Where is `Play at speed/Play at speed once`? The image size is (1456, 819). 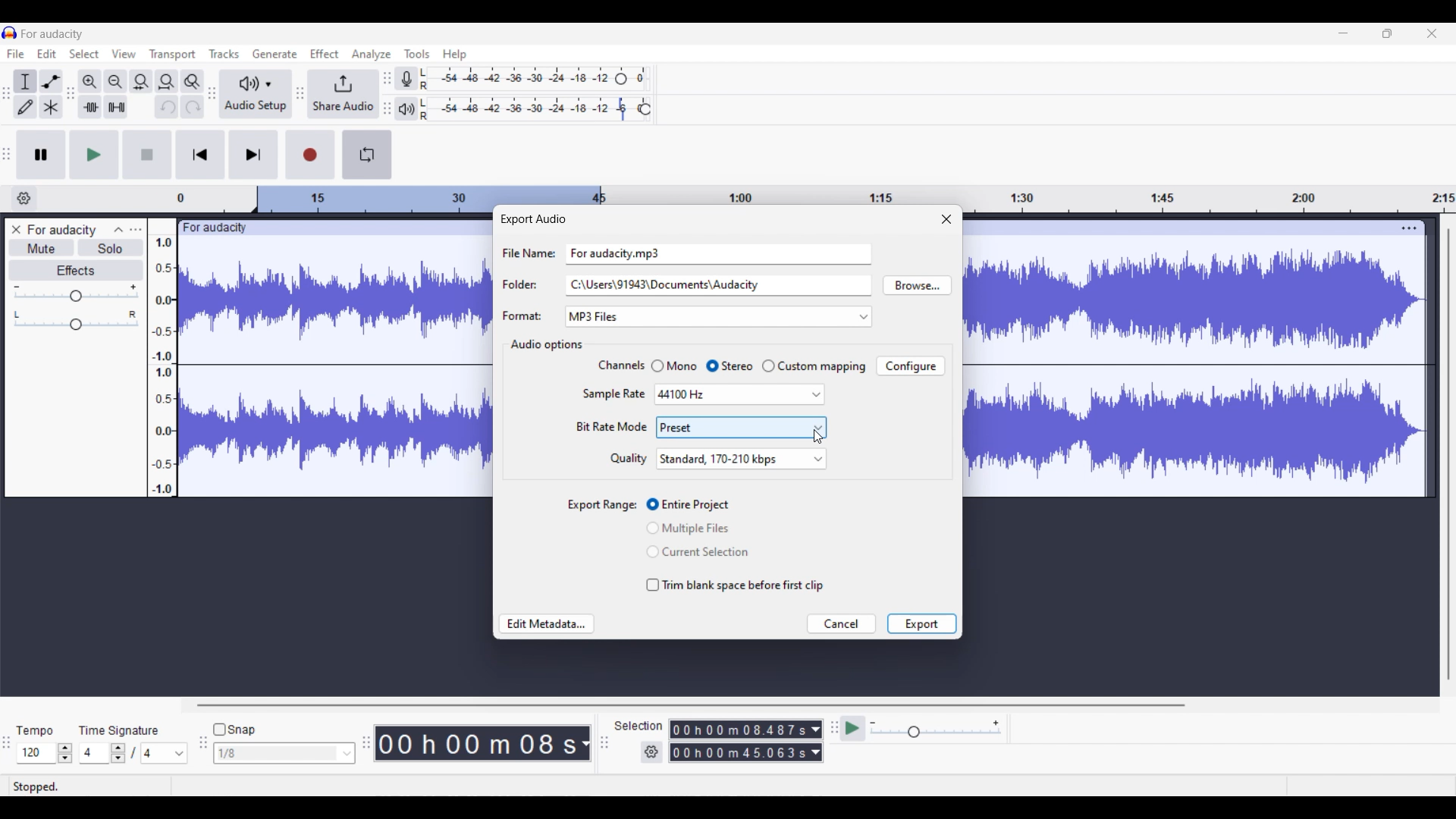
Play at speed/Play at speed once is located at coordinates (854, 728).